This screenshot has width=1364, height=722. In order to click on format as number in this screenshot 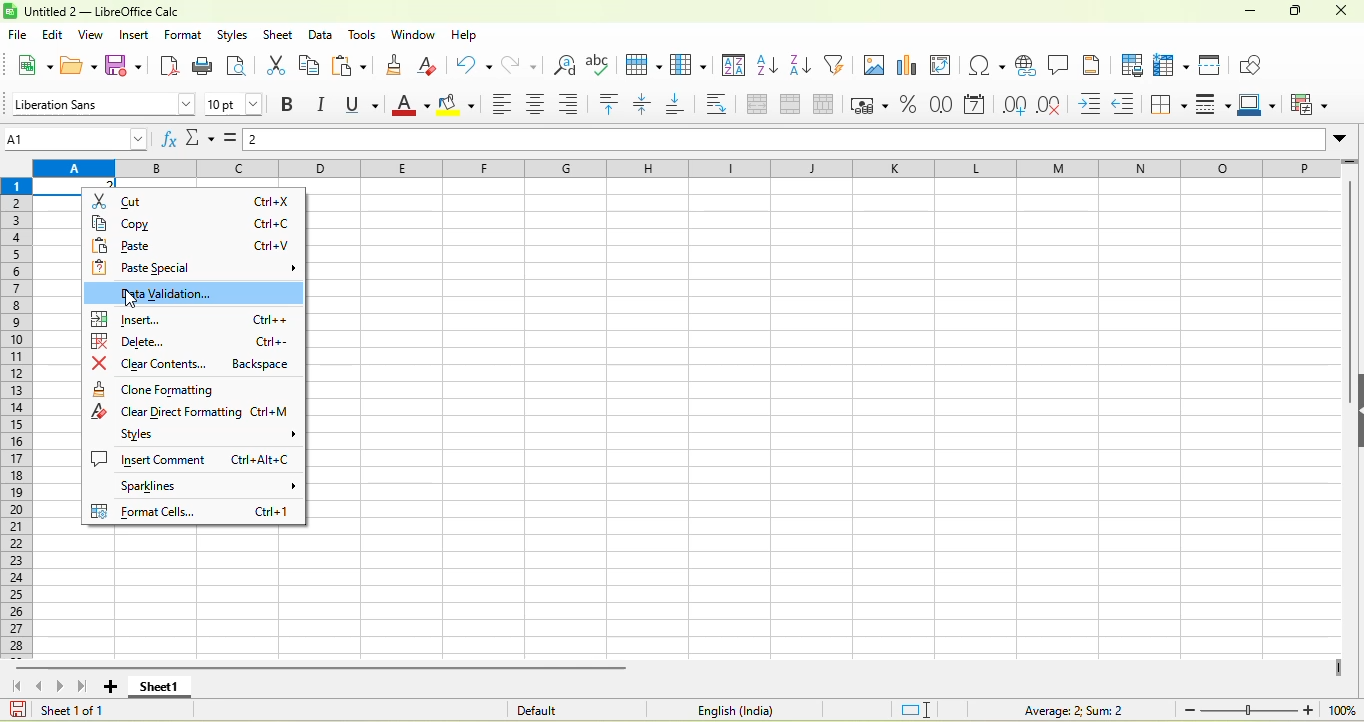, I will do `click(942, 106)`.